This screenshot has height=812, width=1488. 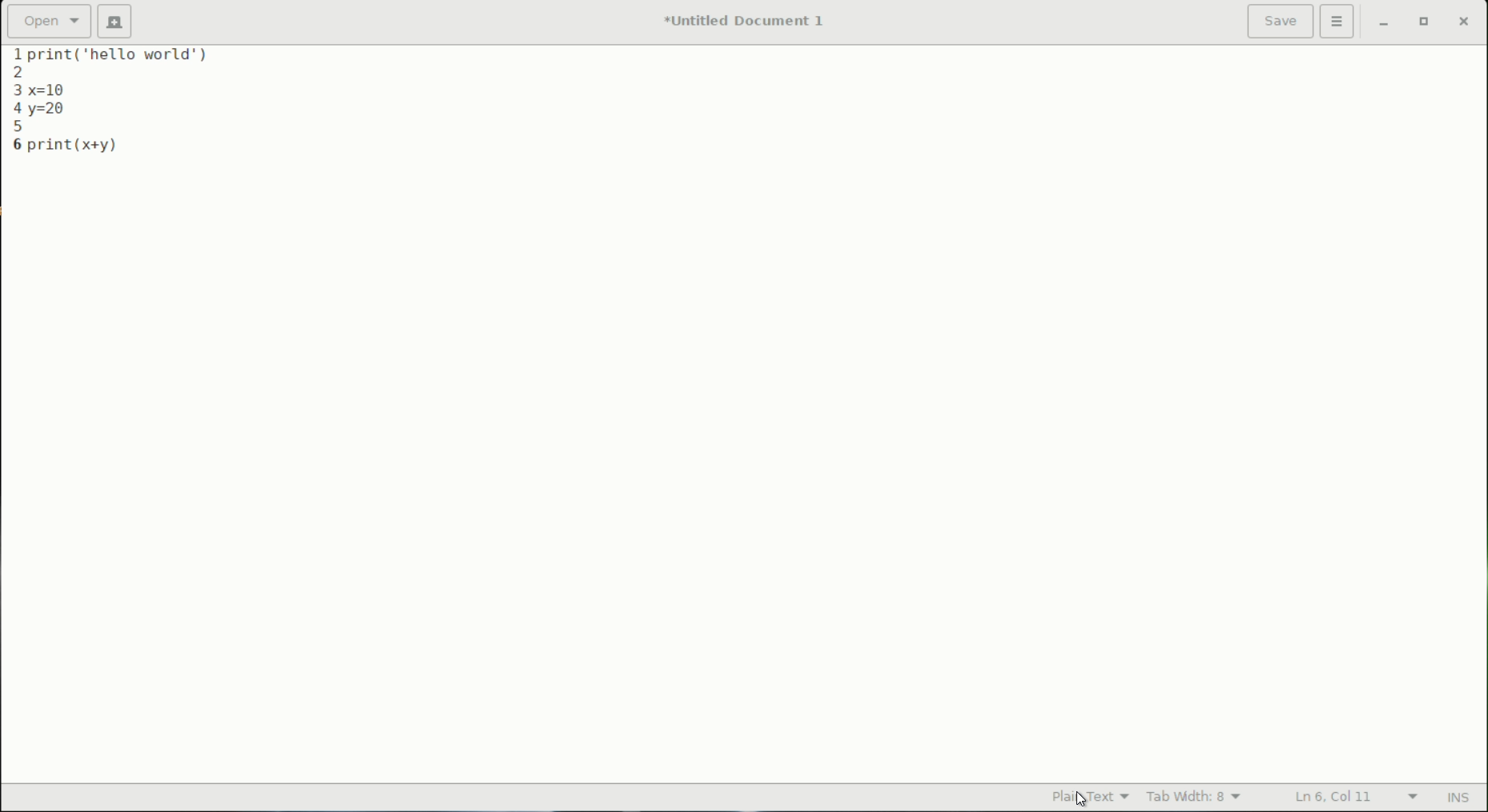 What do you see at coordinates (1080, 796) in the screenshot?
I see `file format` at bounding box center [1080, 796].